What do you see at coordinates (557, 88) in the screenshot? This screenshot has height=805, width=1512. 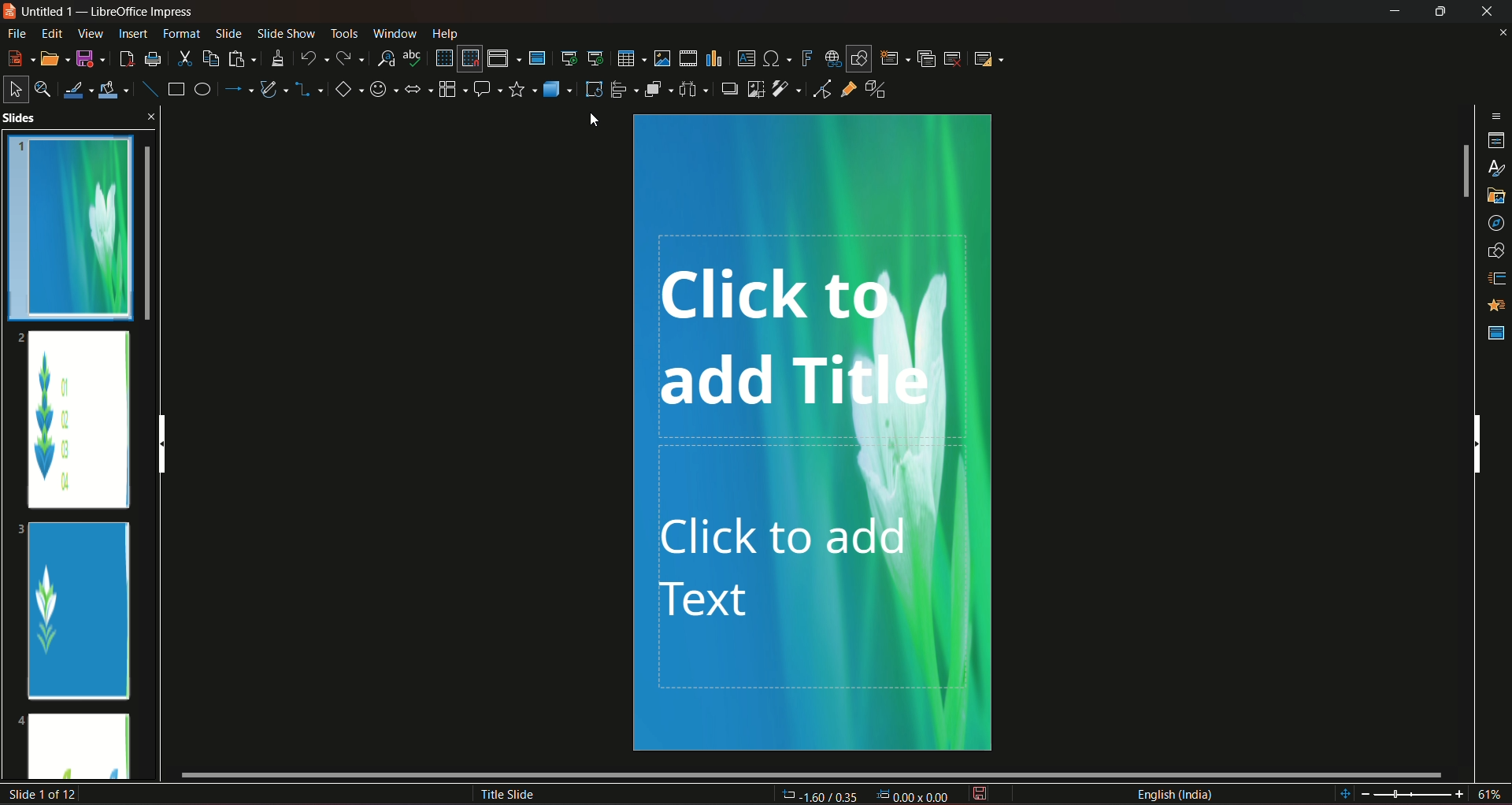 I see `3D objects` at bounding box center [557, 88].